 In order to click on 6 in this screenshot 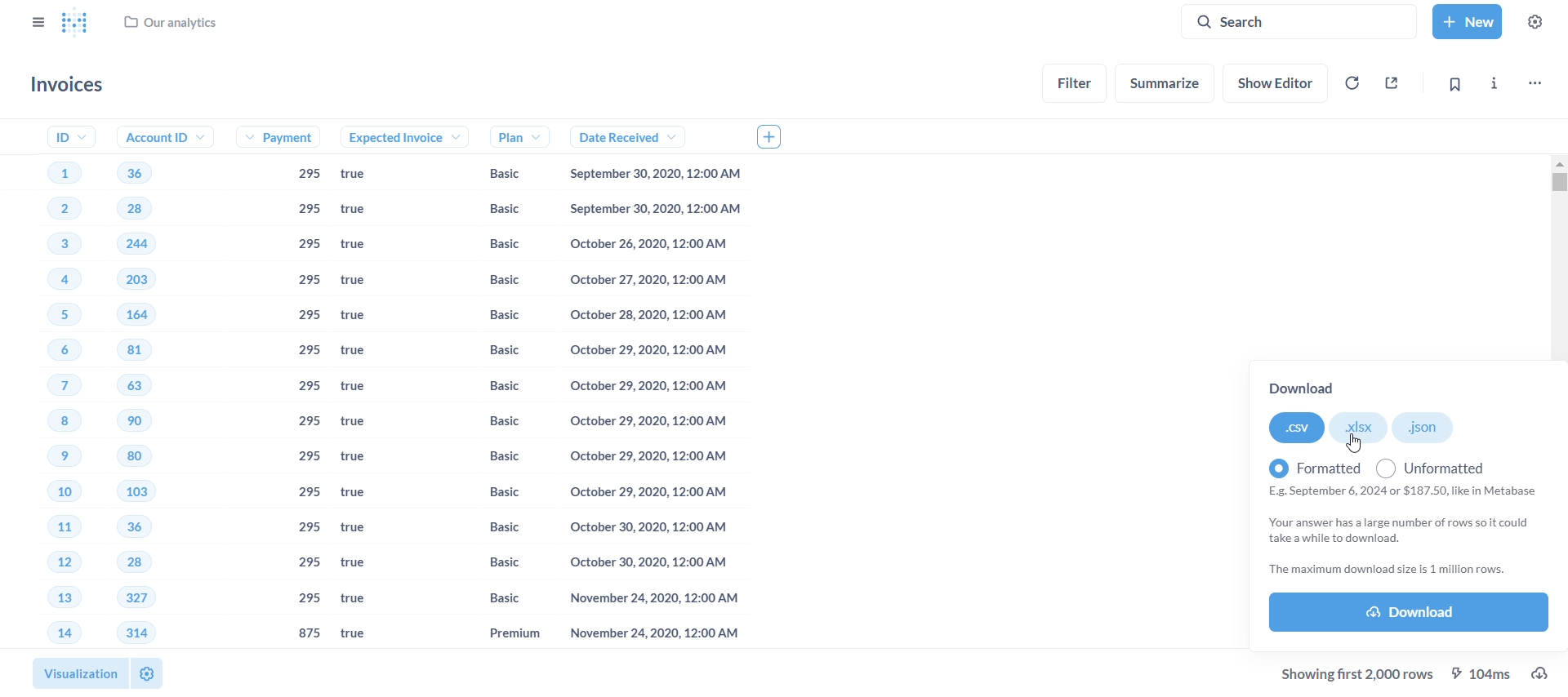, I will do `click(47, 352)`.